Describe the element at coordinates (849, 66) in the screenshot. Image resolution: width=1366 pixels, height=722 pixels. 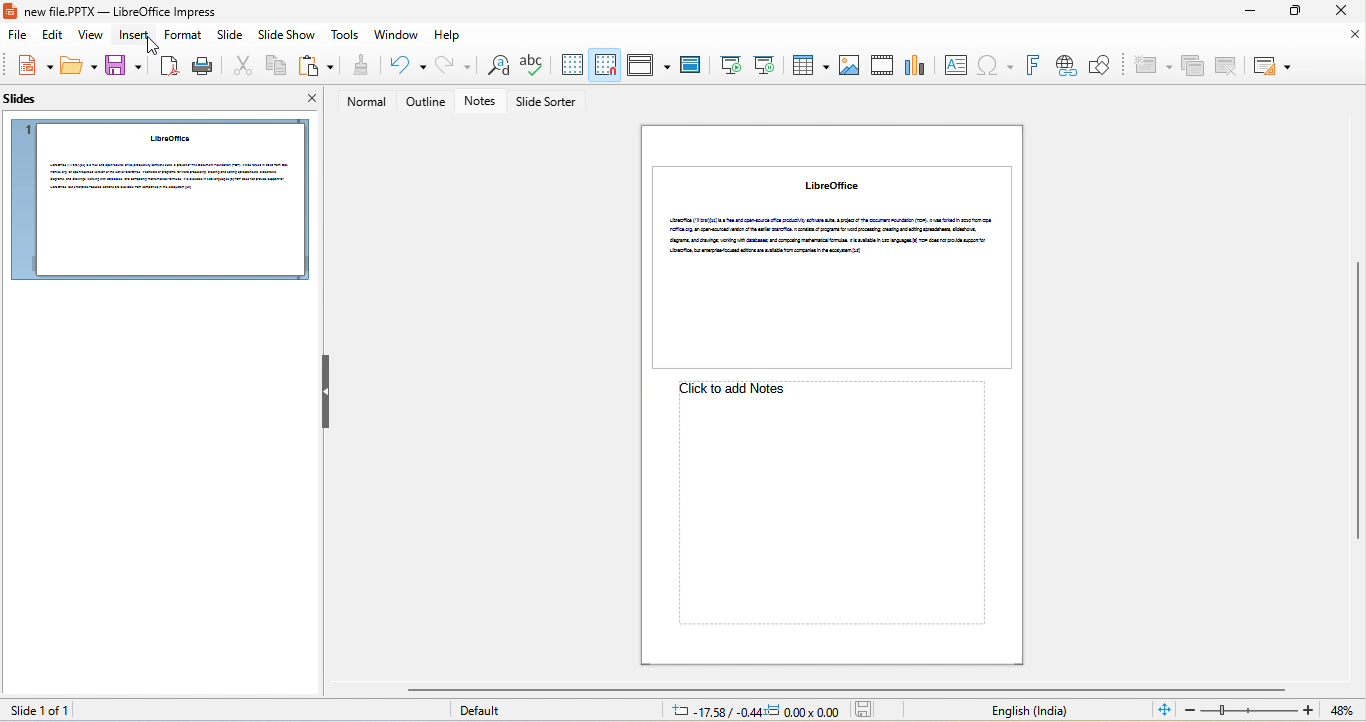
I see `image` at that location.